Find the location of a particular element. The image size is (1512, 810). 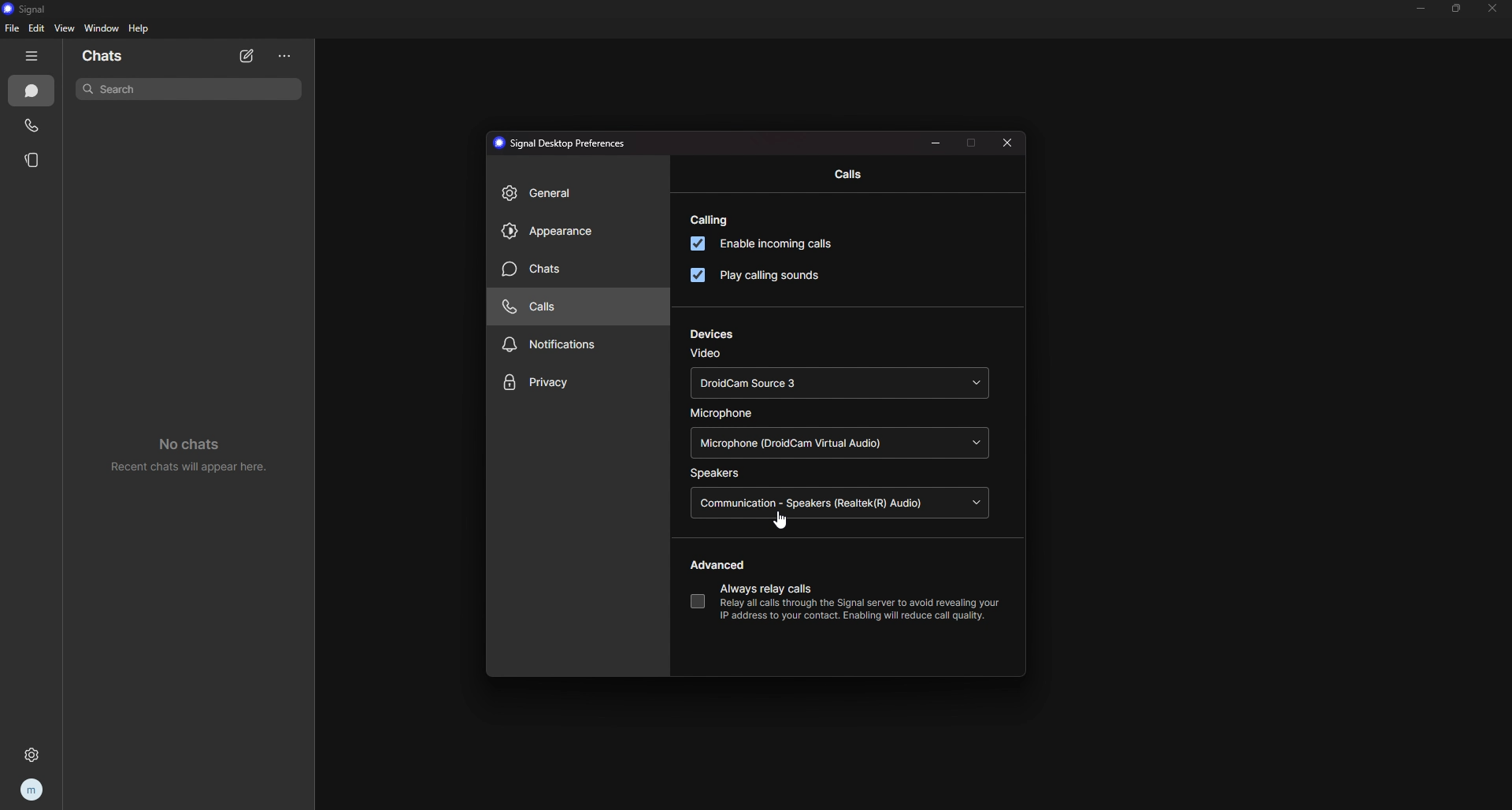

video source is located at coordinates (838, 382).